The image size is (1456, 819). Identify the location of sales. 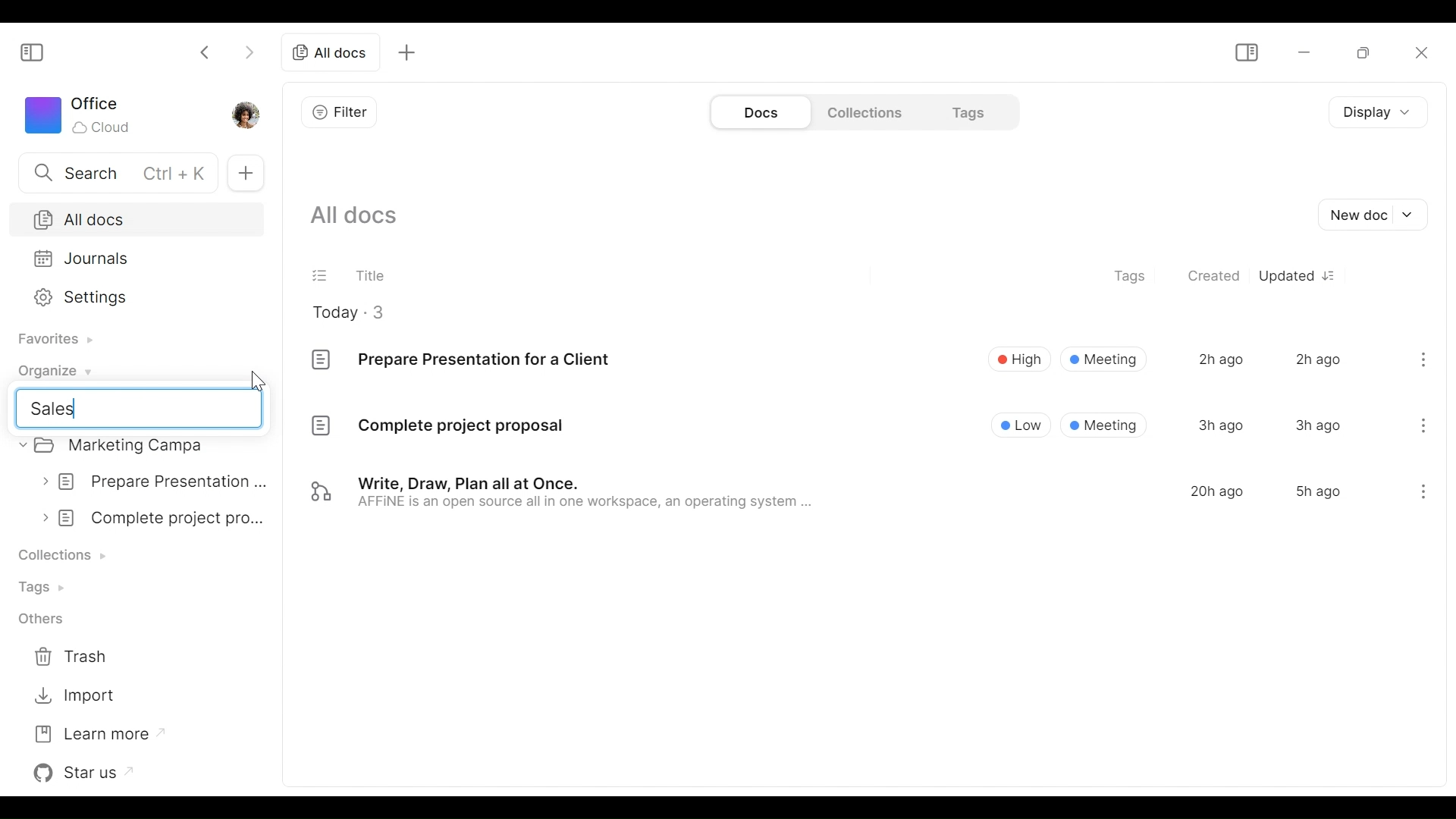
(139, 409).